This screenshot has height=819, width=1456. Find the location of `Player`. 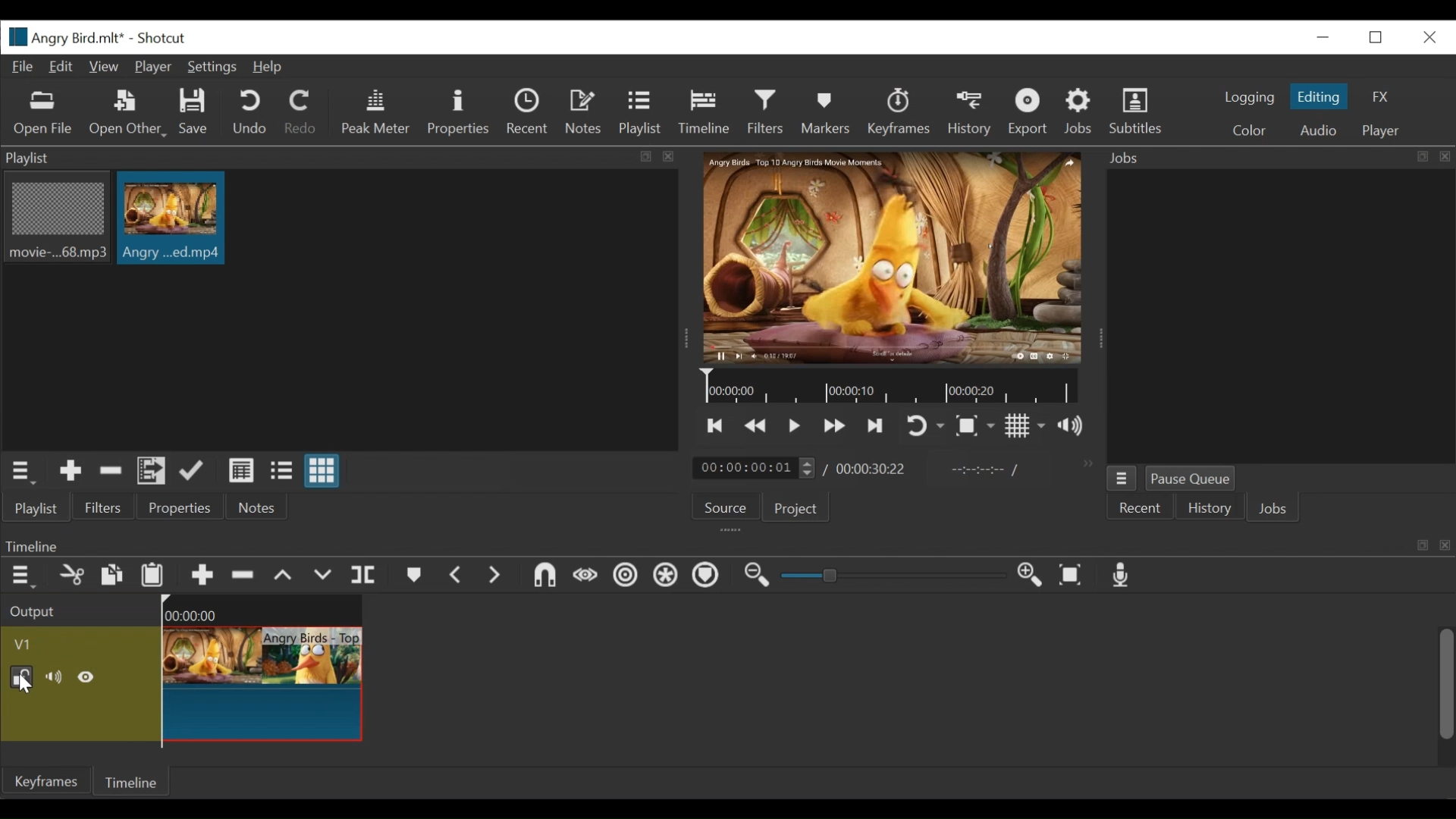

Player is located at coordinates (152, 67).